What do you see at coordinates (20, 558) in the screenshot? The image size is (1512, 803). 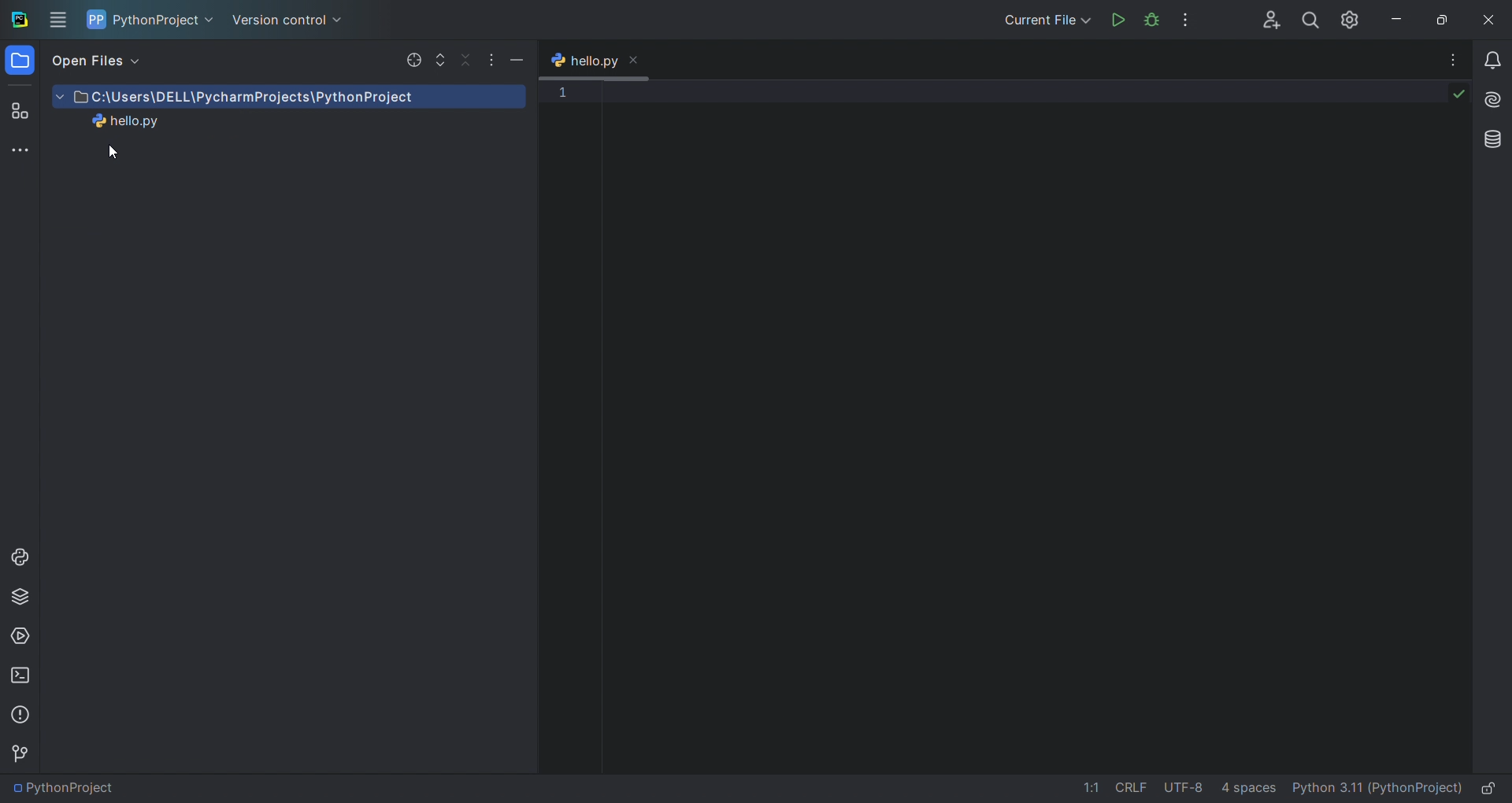 I see `python console` at bounding box center [20, 558].